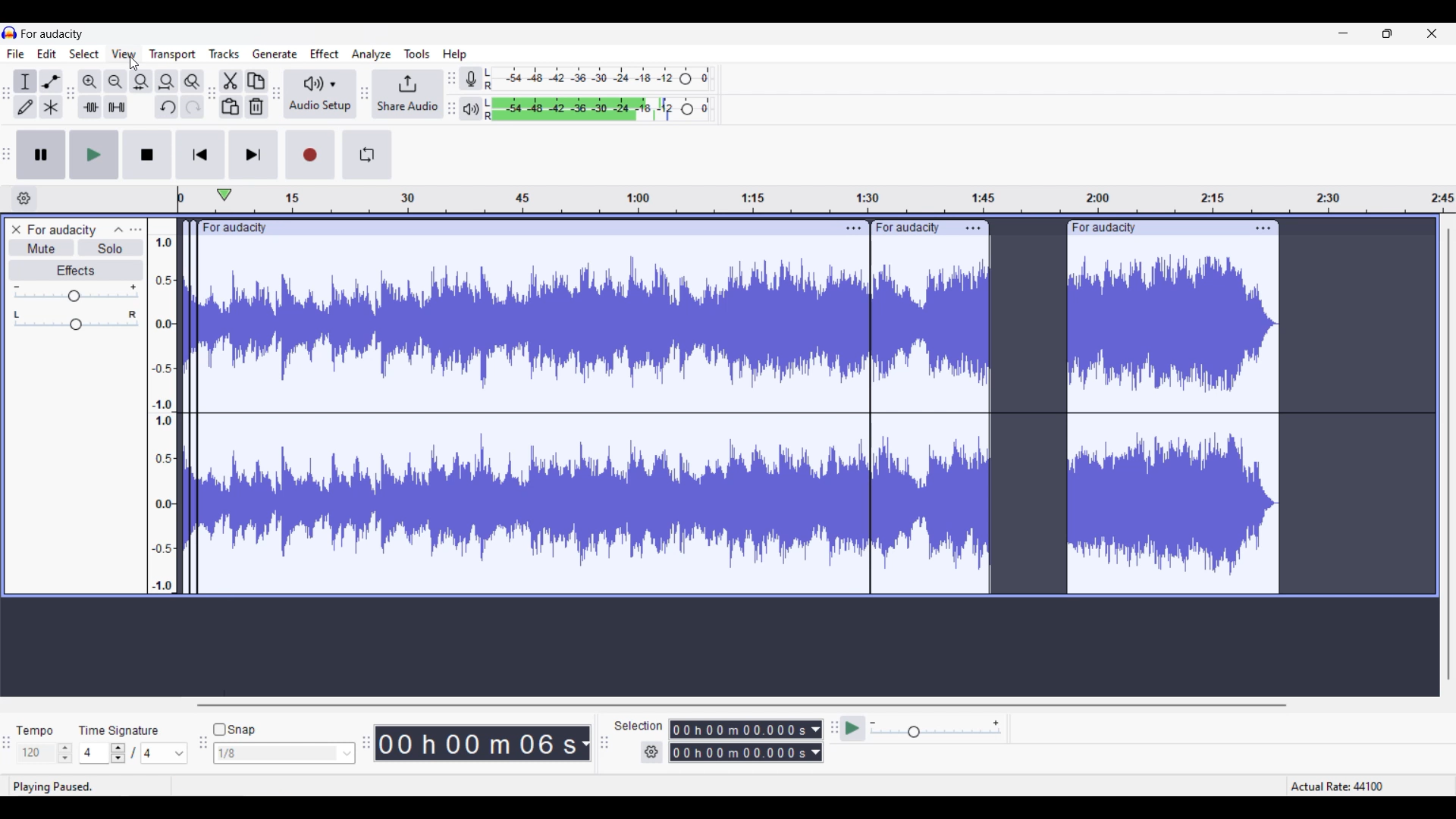  Describe the element at coordinates (89, 82) in the screenshot. I see `Zoom in` at that location.